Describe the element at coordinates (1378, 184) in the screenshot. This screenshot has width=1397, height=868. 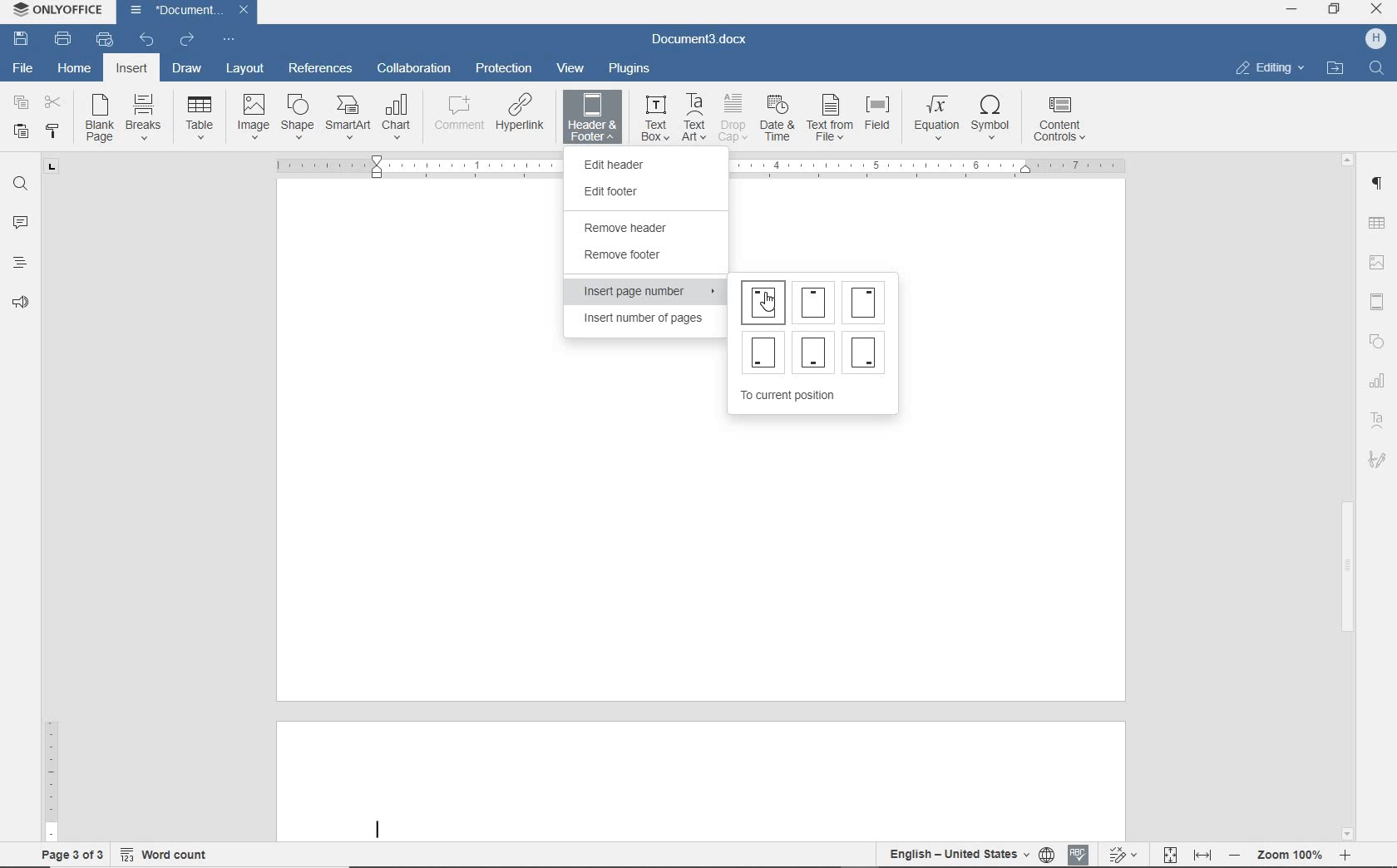
I see `PARAGRAPH SETTINGS` at that location.